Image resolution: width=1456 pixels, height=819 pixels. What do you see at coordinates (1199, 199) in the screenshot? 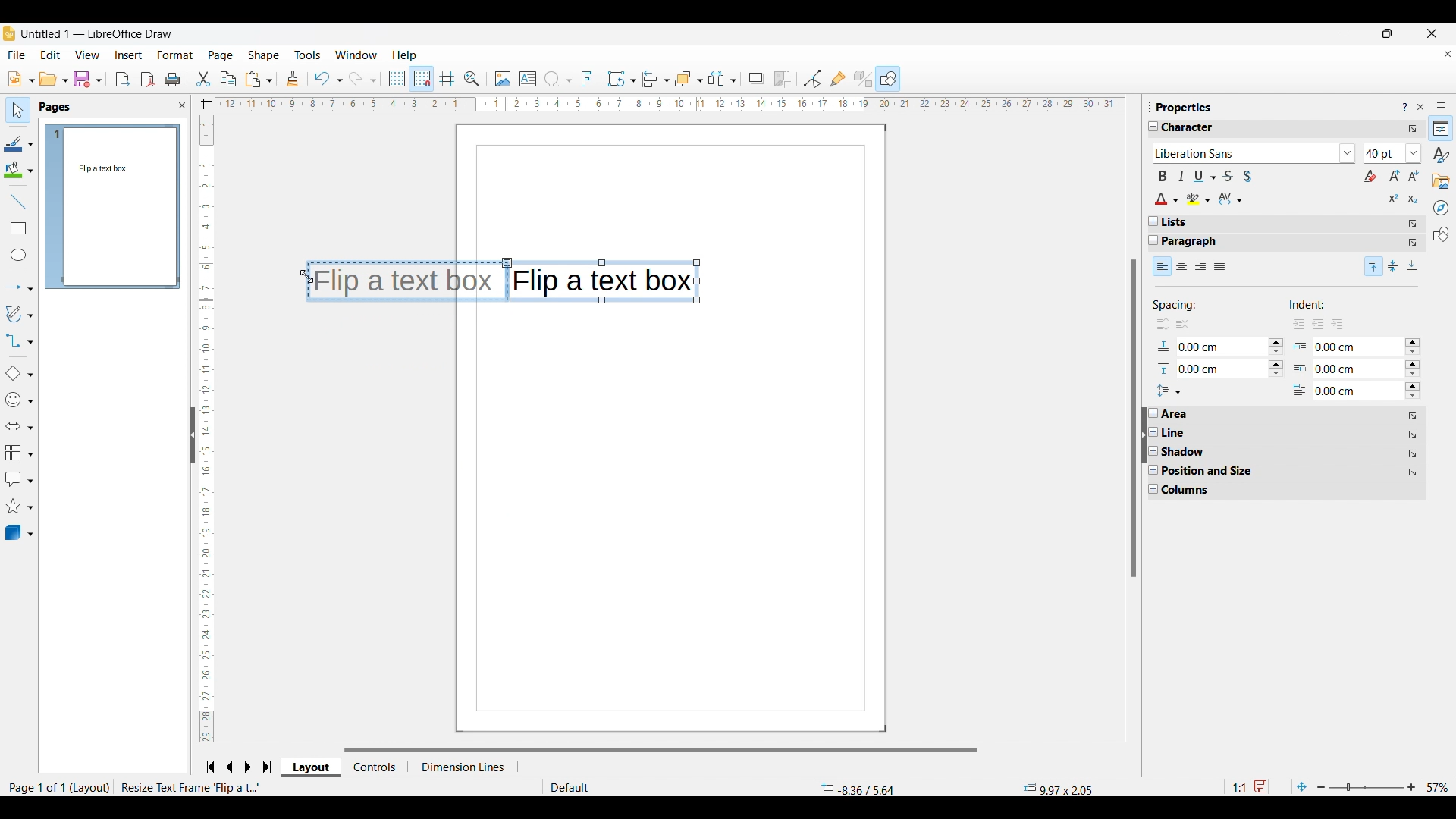
I see `Highlight color options` at bounding box center [1199, 199].